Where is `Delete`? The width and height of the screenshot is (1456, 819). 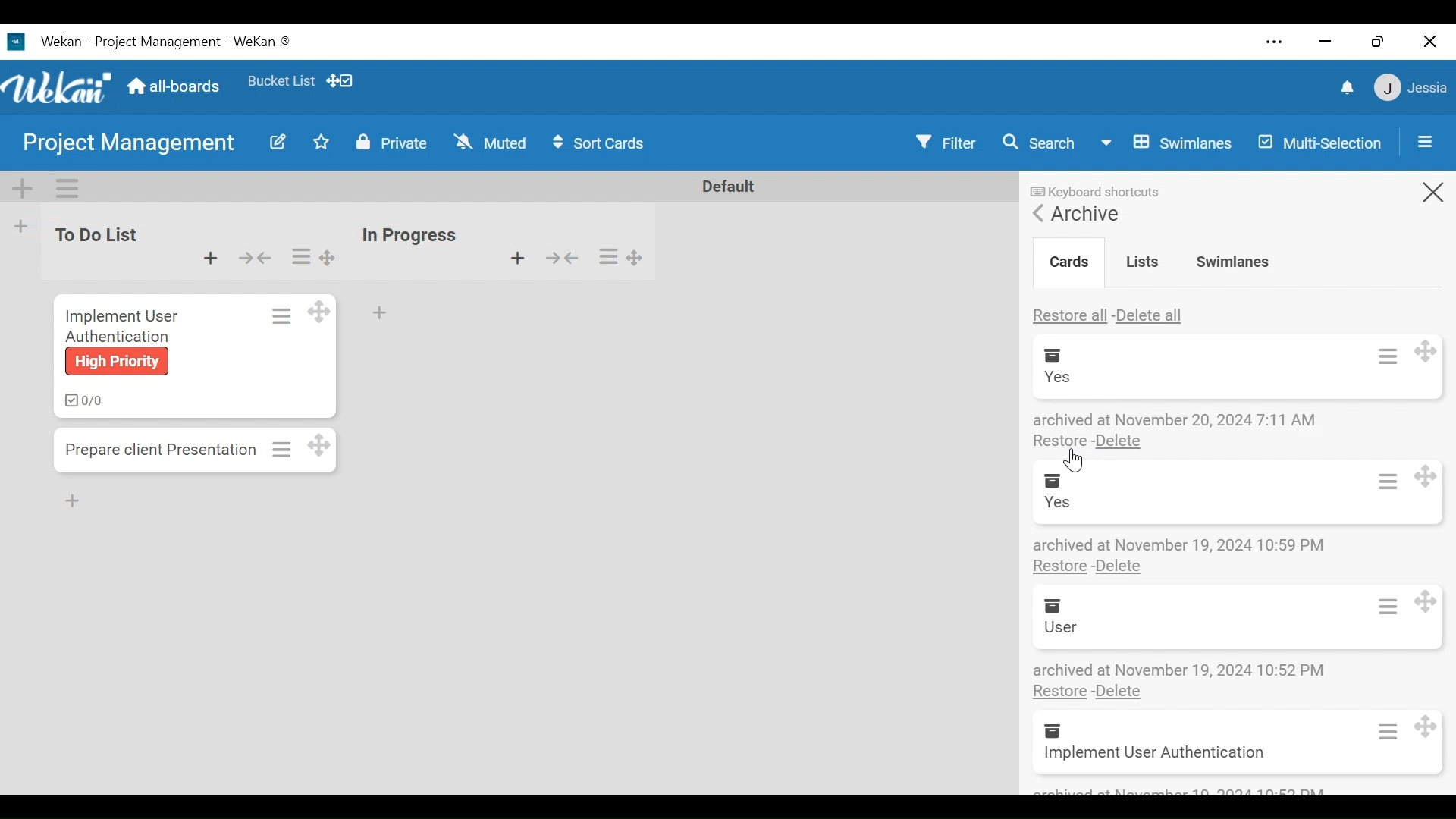
Delete is located at coordinates (1121, 567).